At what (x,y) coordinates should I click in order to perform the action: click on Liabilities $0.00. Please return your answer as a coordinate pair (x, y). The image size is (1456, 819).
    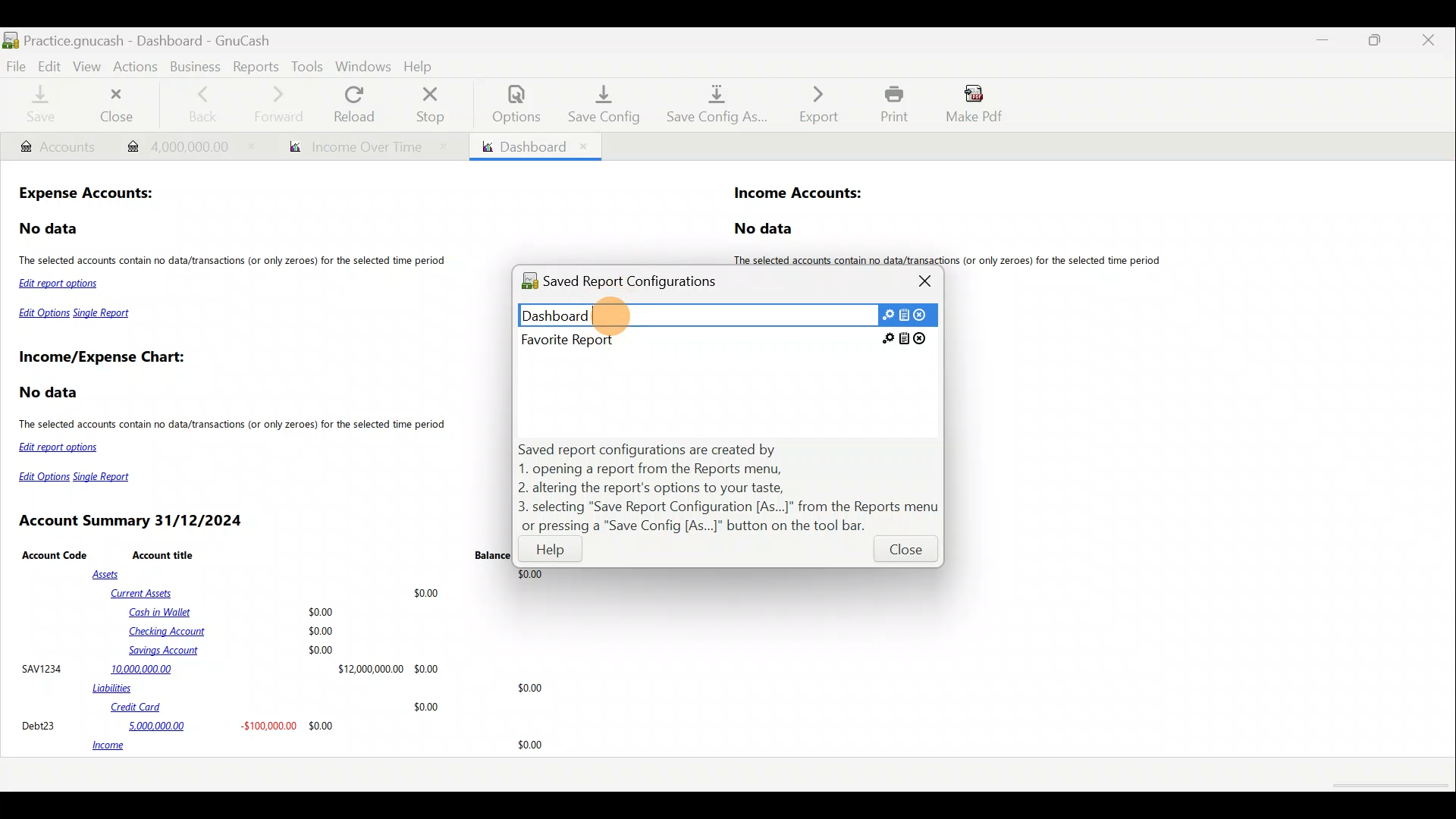
    Looking at the image, I should click on (321, 688).